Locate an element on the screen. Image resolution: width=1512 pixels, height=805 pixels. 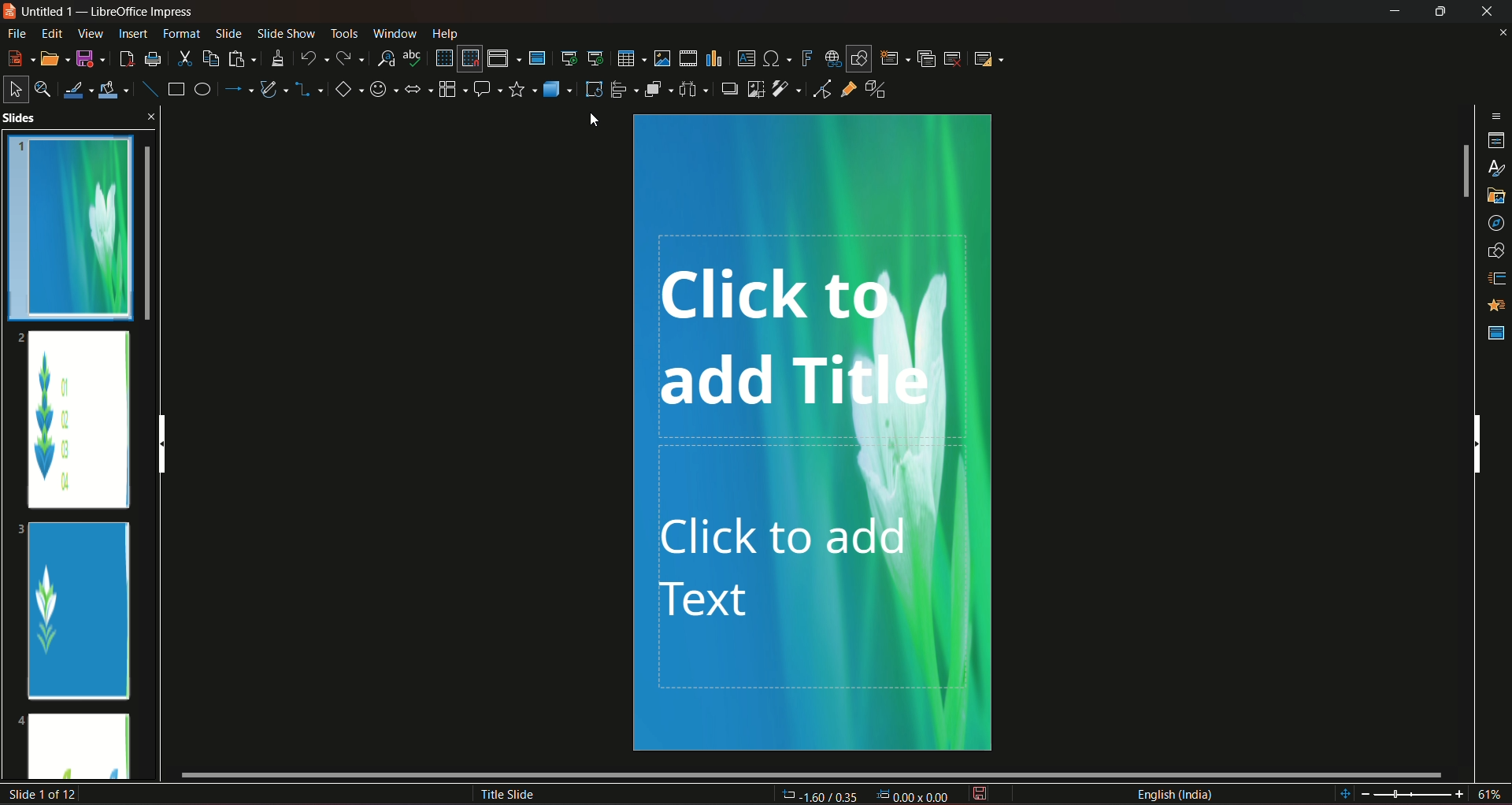
arrange is located at coordinates (658, 91).